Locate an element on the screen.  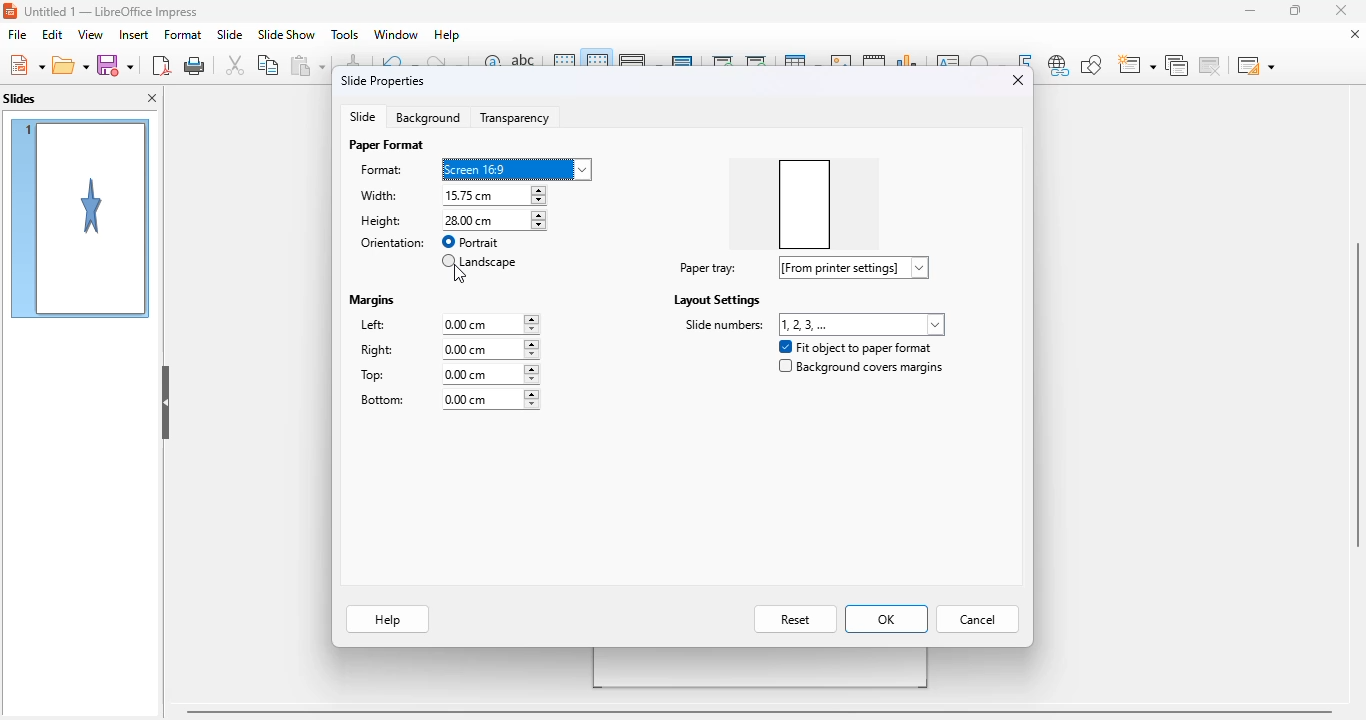
fit object to paper format is located at coordinates (856, 347).